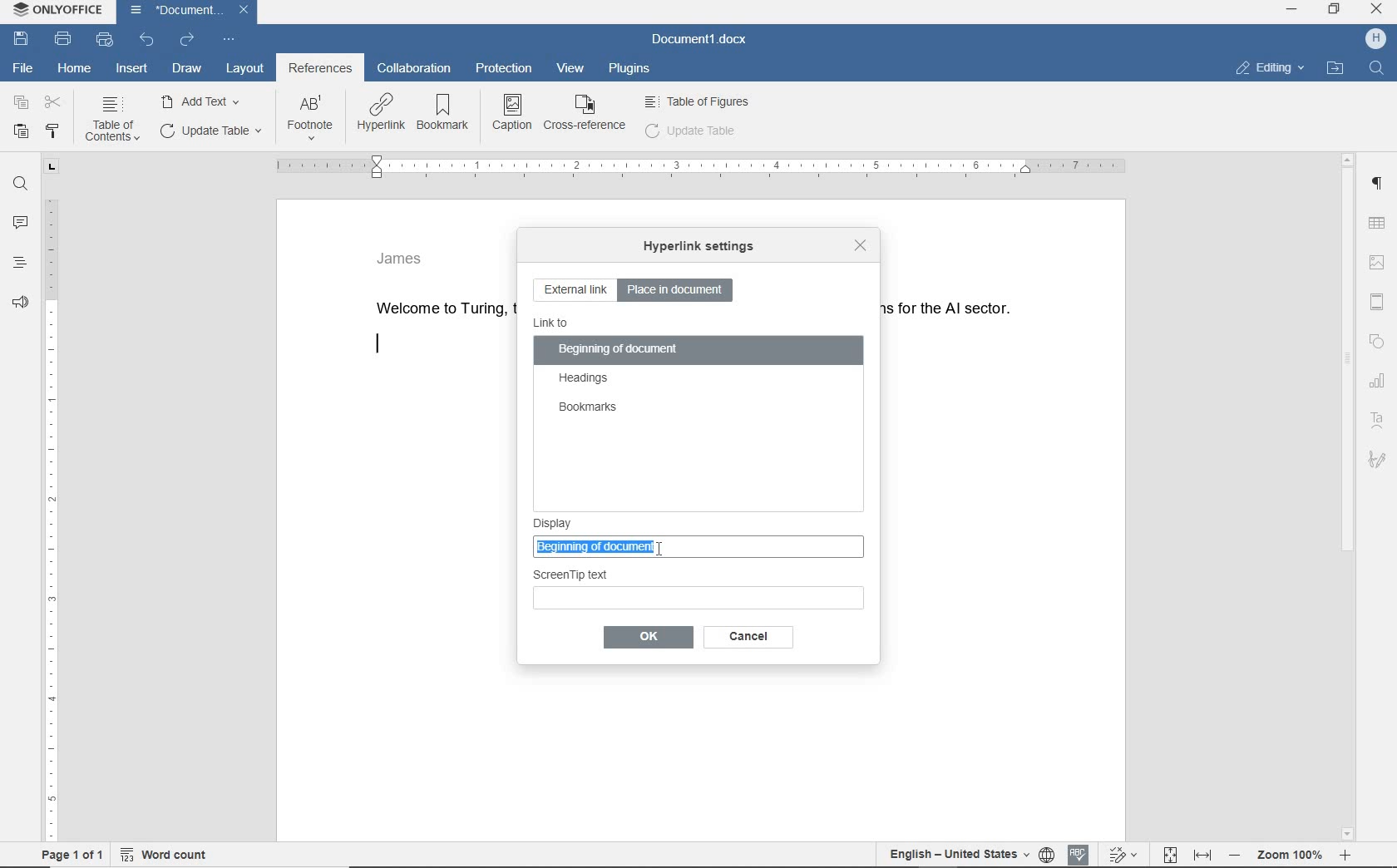 The width and height of the screenshot is (1397, 868). I want to click on plugins, so click(631, 72).